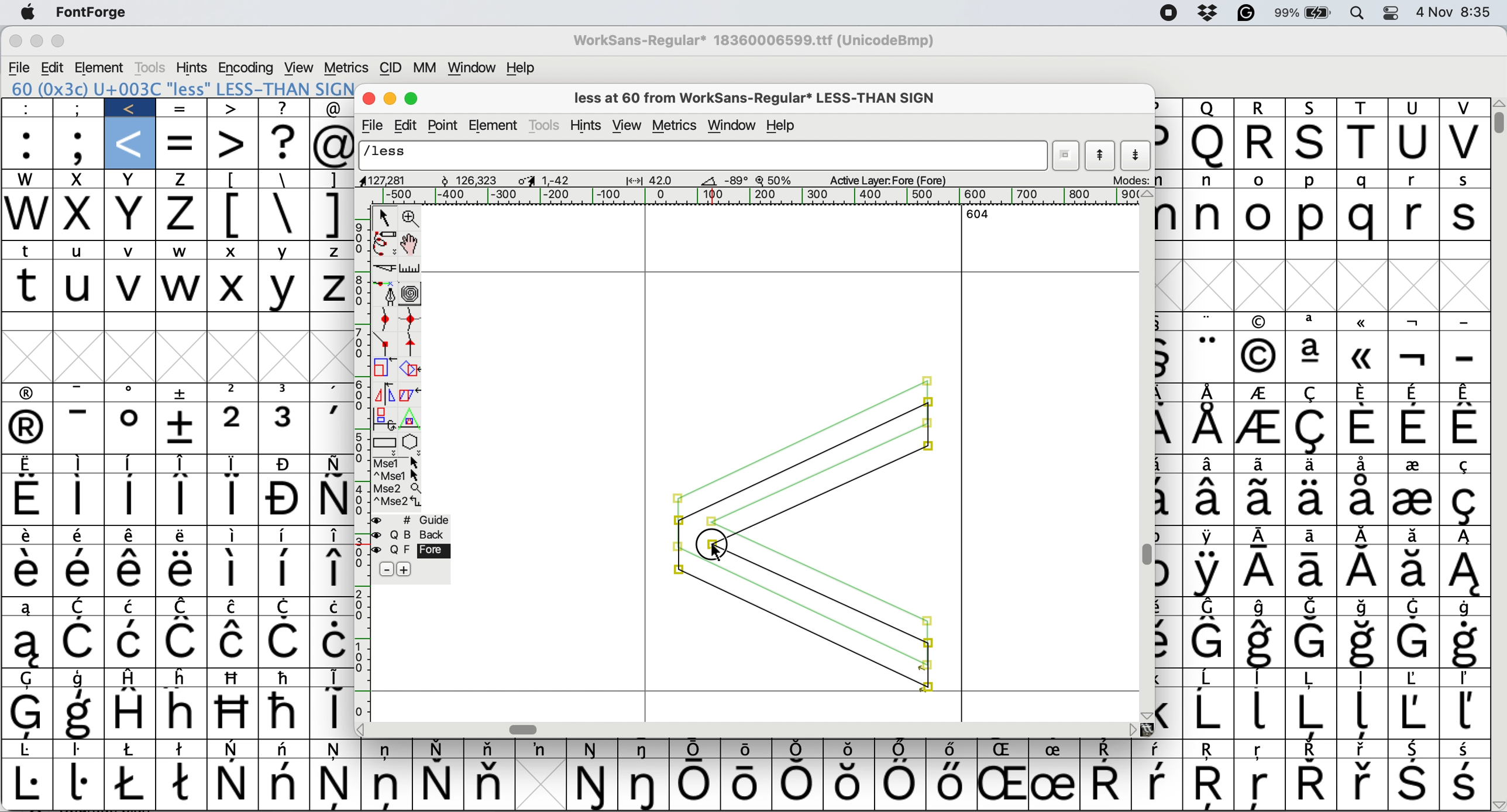 This screenshot has height=812, width=1507. Describe the element at coordinates (1158, 748) in the screenshot. I see `Symbol` at that location.